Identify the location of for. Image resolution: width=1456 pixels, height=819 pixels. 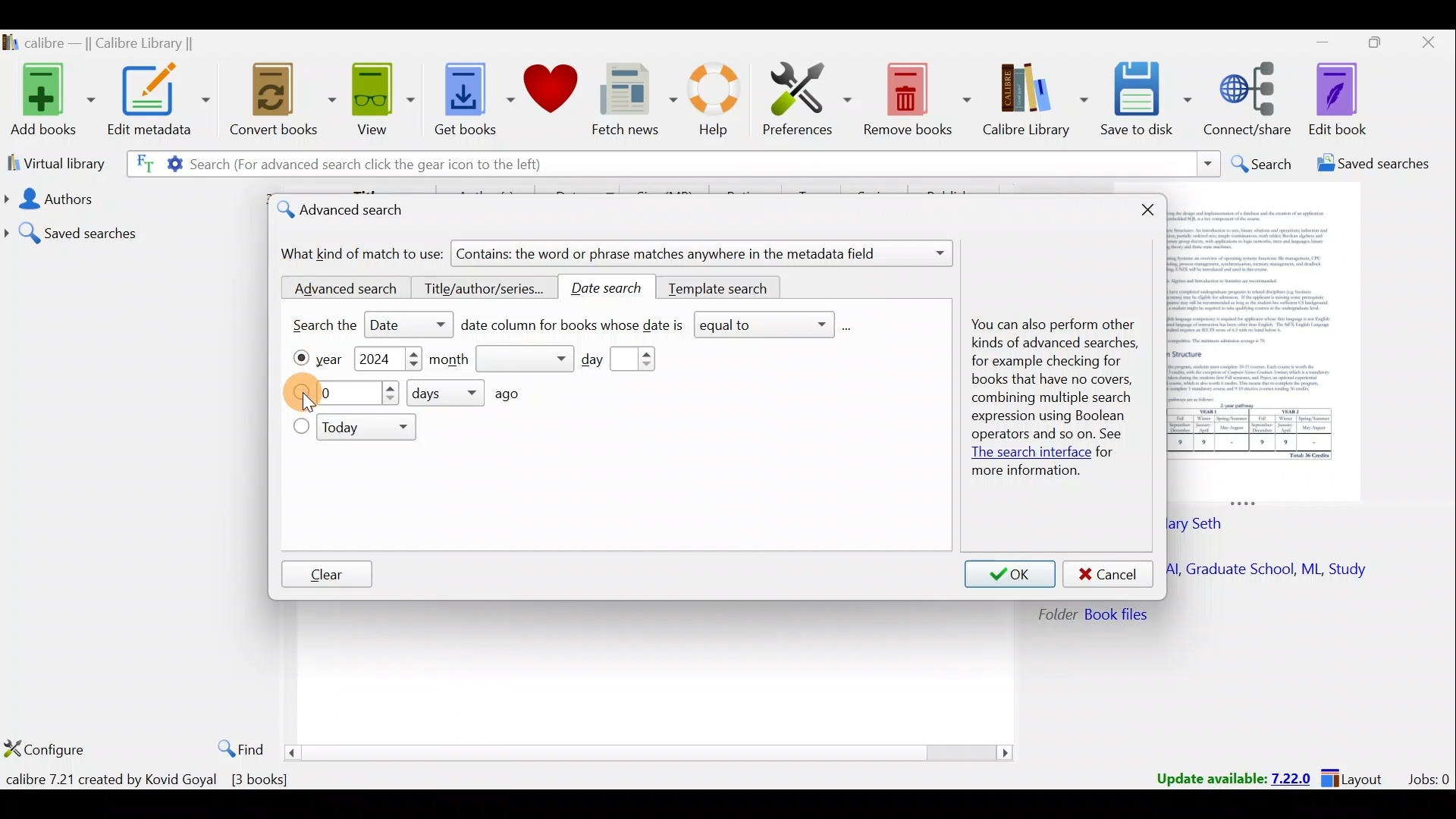
(1106, 453).